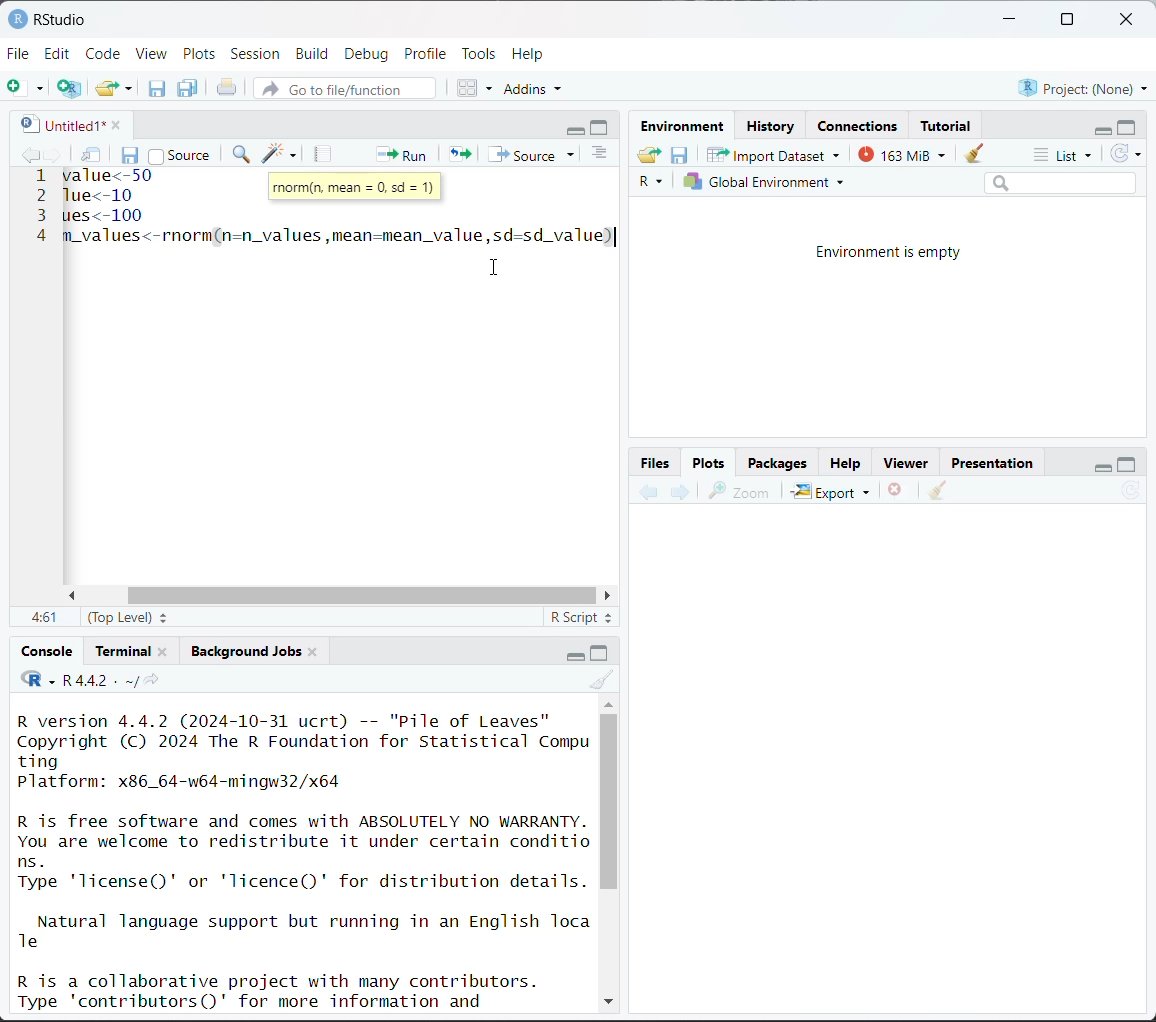  I want to click on run, so click(399, 153).